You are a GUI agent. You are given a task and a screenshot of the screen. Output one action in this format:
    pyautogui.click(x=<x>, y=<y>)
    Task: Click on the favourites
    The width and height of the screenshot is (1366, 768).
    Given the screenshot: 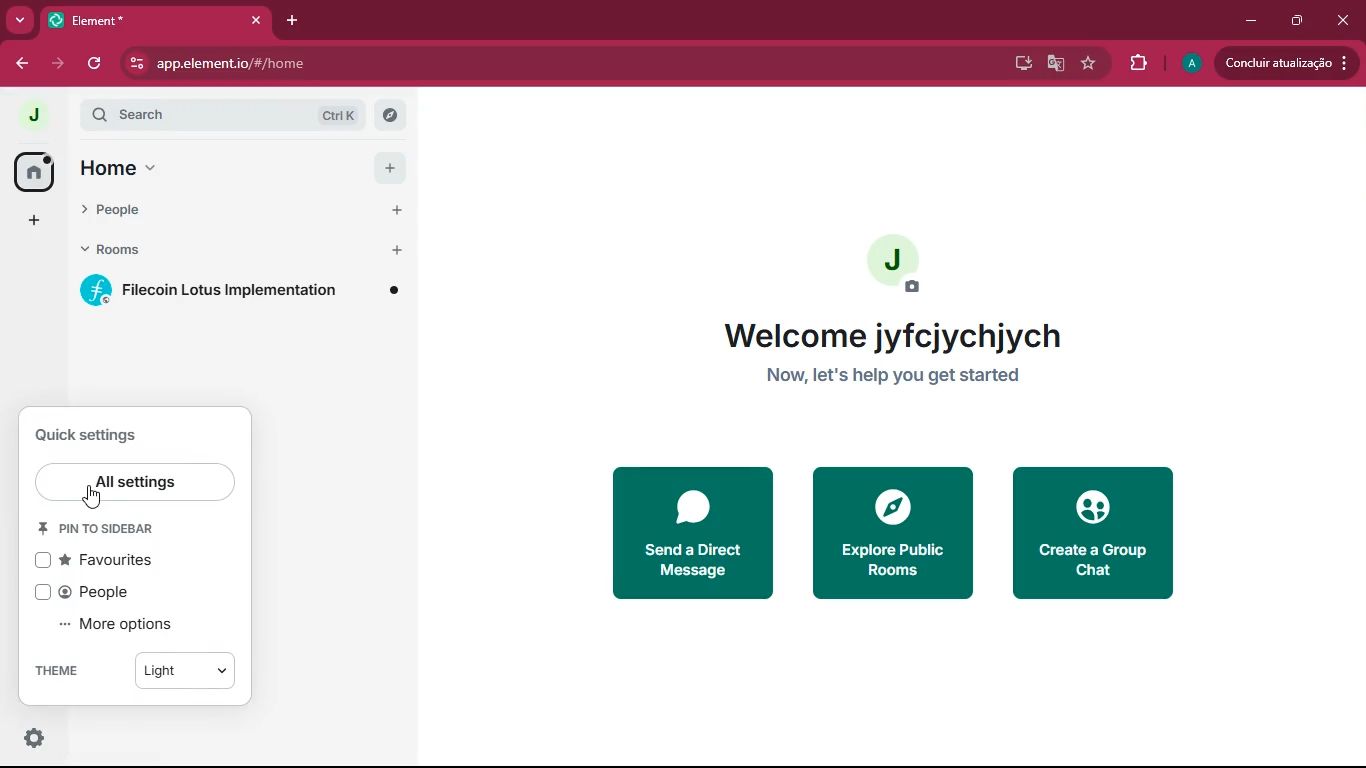 What is the action you would take?
    pyautogui.click(x=114, y=561)
    